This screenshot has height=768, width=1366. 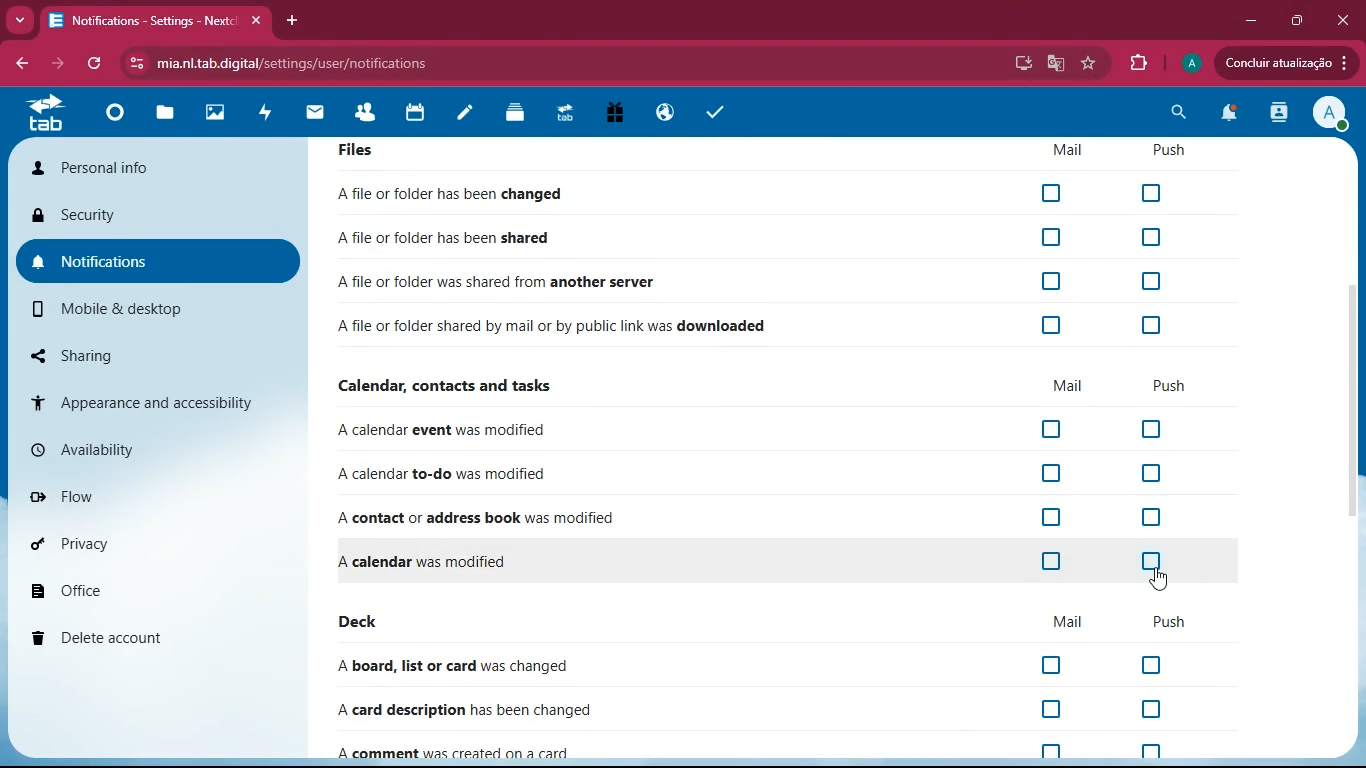 I want to click on mail, so click(x=1065, y=387).